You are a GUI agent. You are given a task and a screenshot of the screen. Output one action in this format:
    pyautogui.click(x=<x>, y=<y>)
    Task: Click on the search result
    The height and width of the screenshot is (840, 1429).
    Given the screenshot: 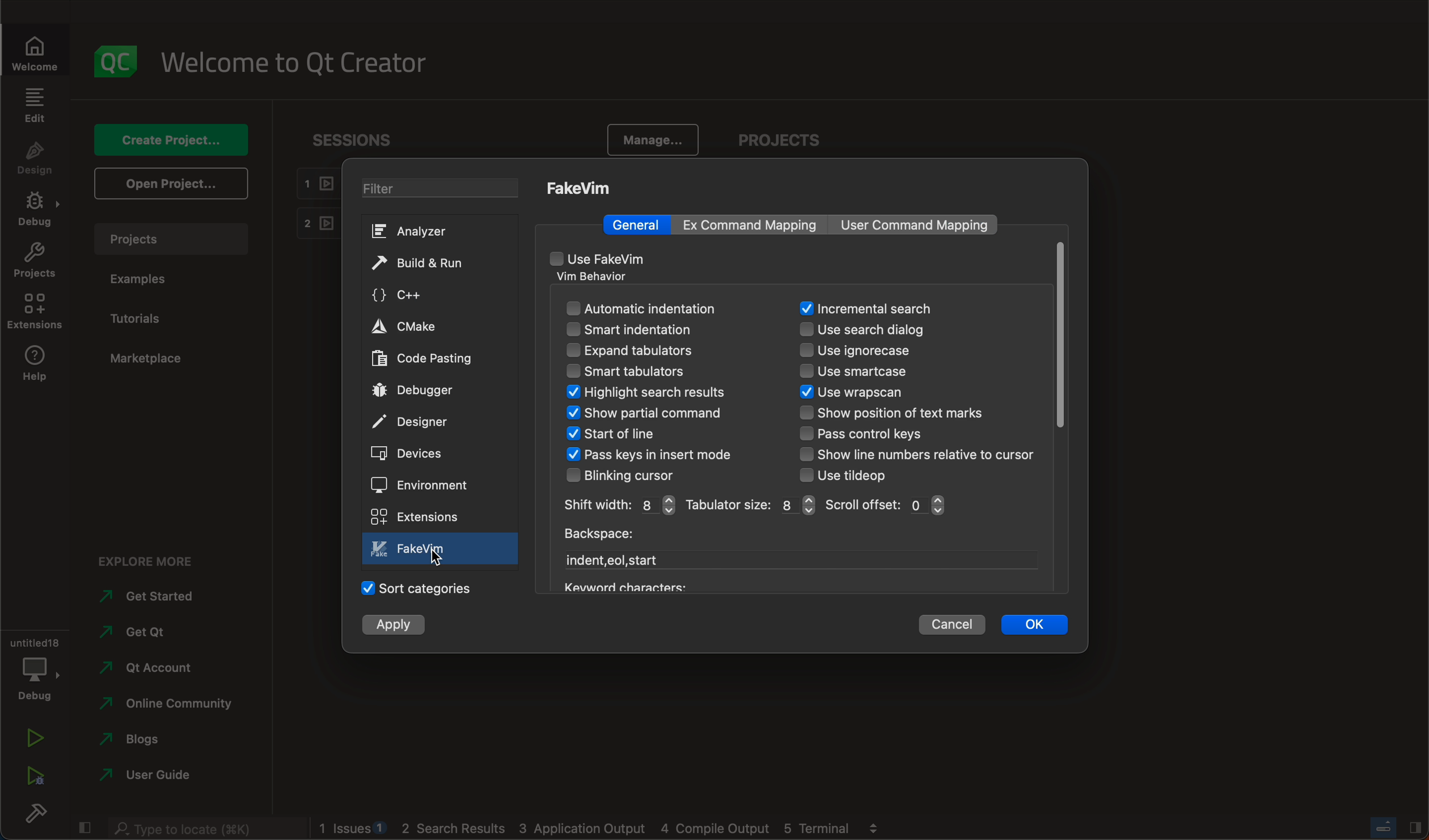 What is the action you would take?
    pyautogui.click(x=666, y=393)
    